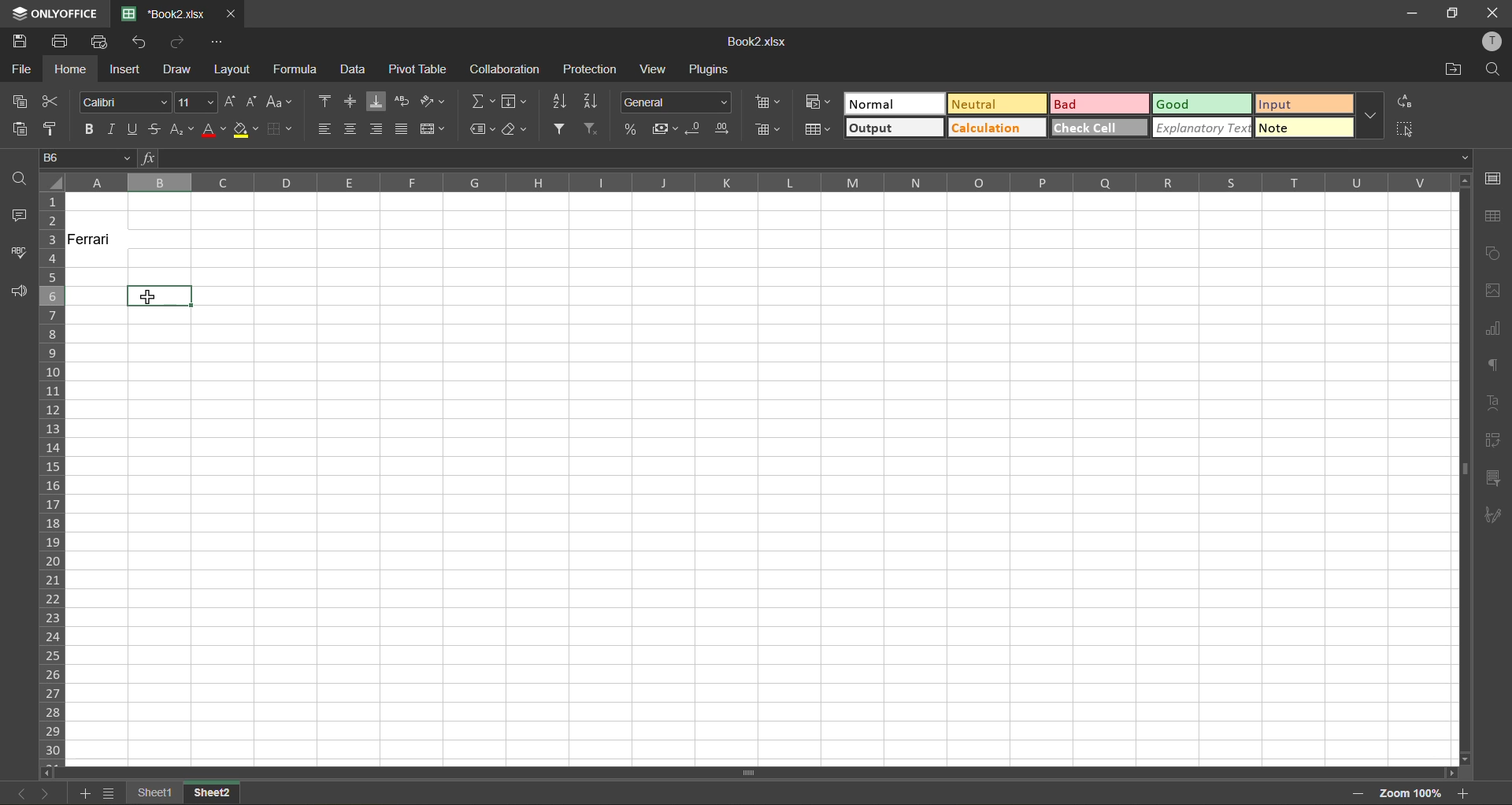 The width and height of the screenshot is (1512, 805). I want to click on input, so click(1305, 104).